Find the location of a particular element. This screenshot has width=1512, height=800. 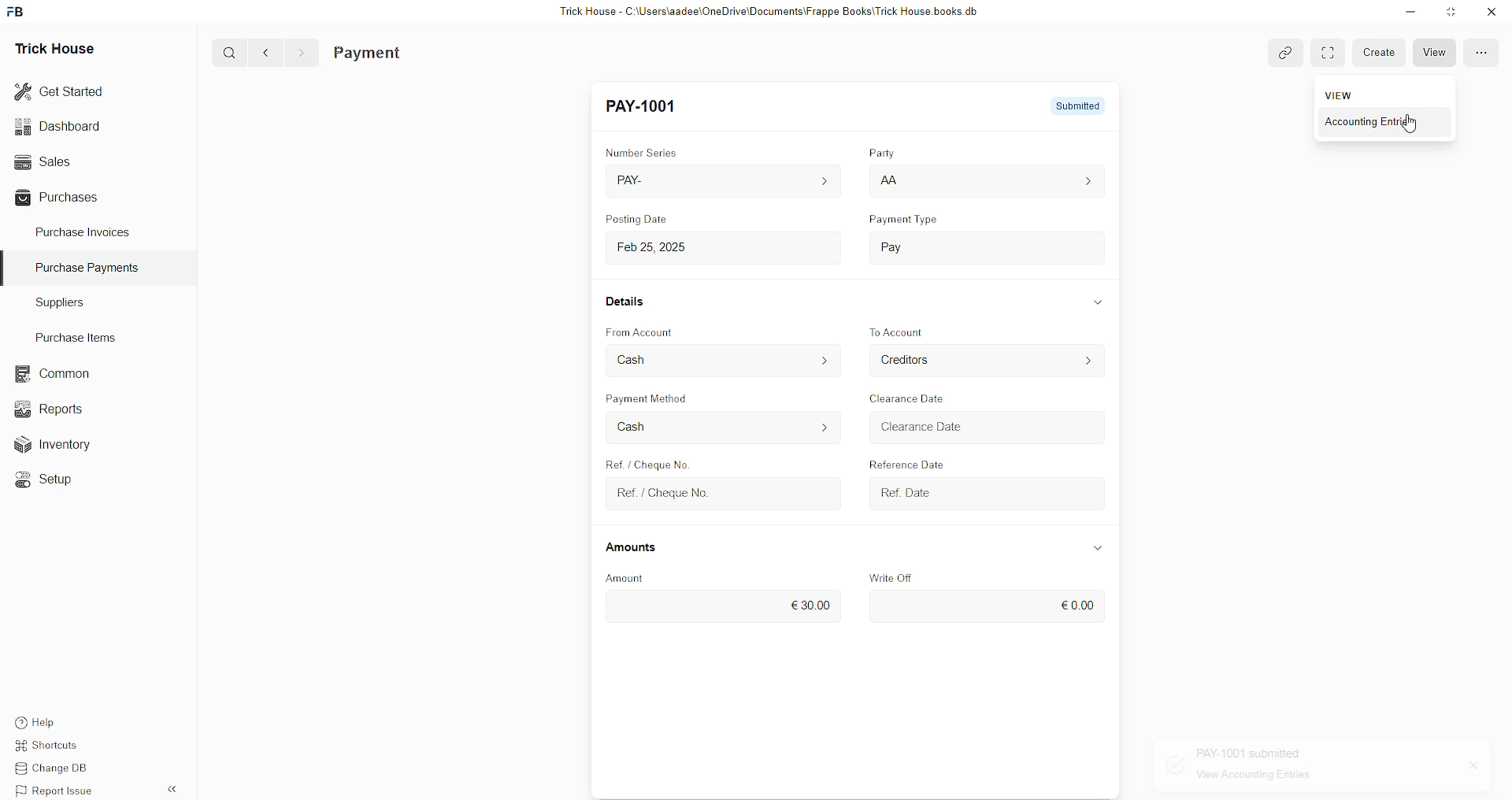

EXPAND is located at coordinates (1332, 53).